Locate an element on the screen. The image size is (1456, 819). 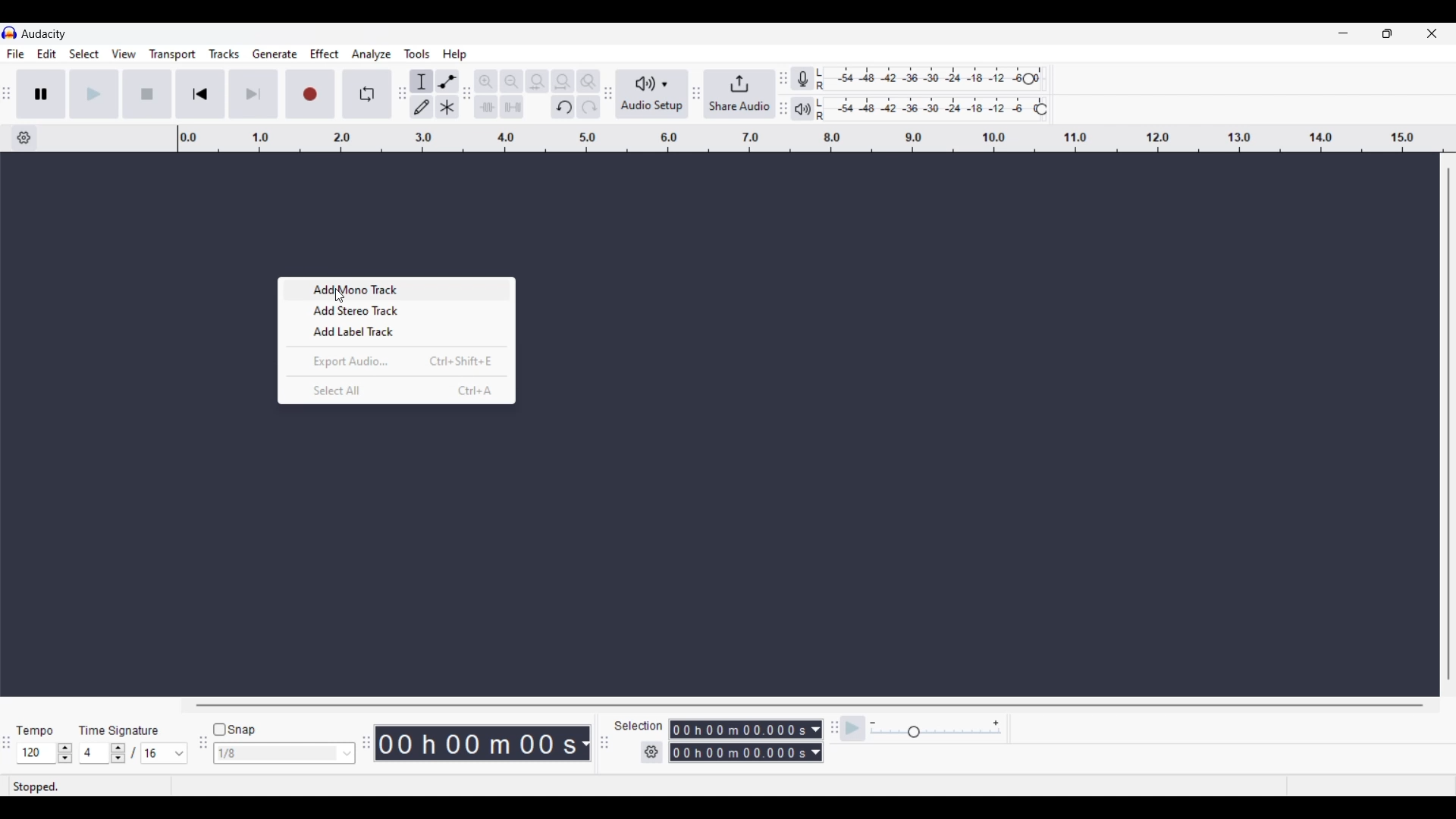
Increase playback speed to maximum  is located at coordinates (996, 723).